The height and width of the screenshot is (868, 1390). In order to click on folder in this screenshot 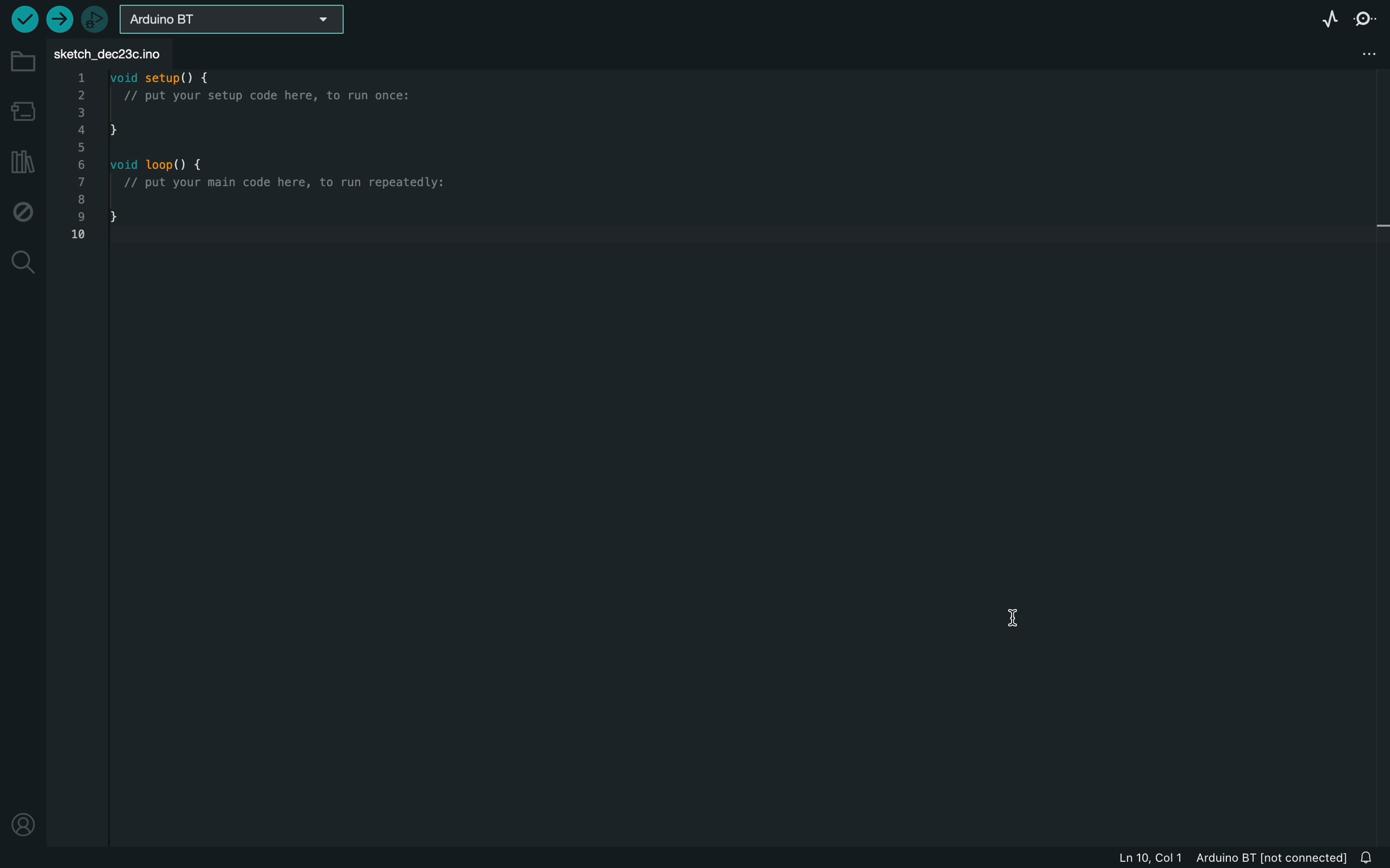, I will do `click(21, 61)`.